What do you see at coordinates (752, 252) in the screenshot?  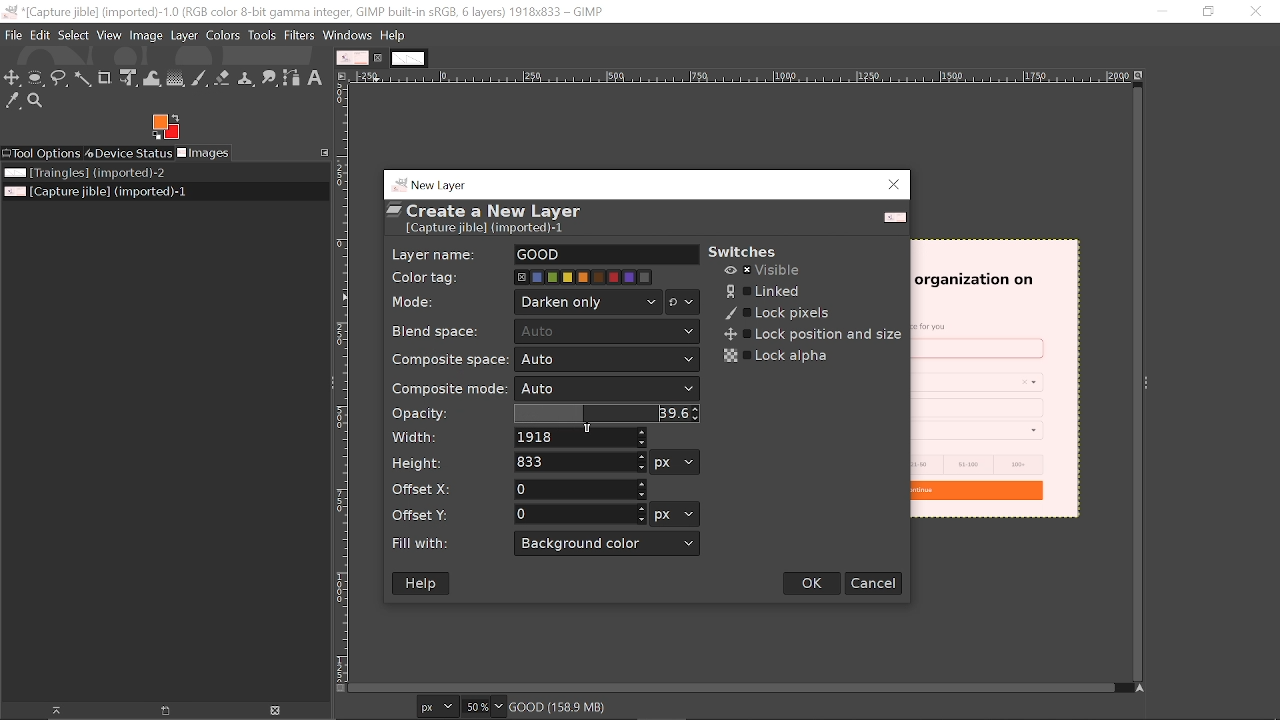 I see `switches` at bounding box center [752, 252].